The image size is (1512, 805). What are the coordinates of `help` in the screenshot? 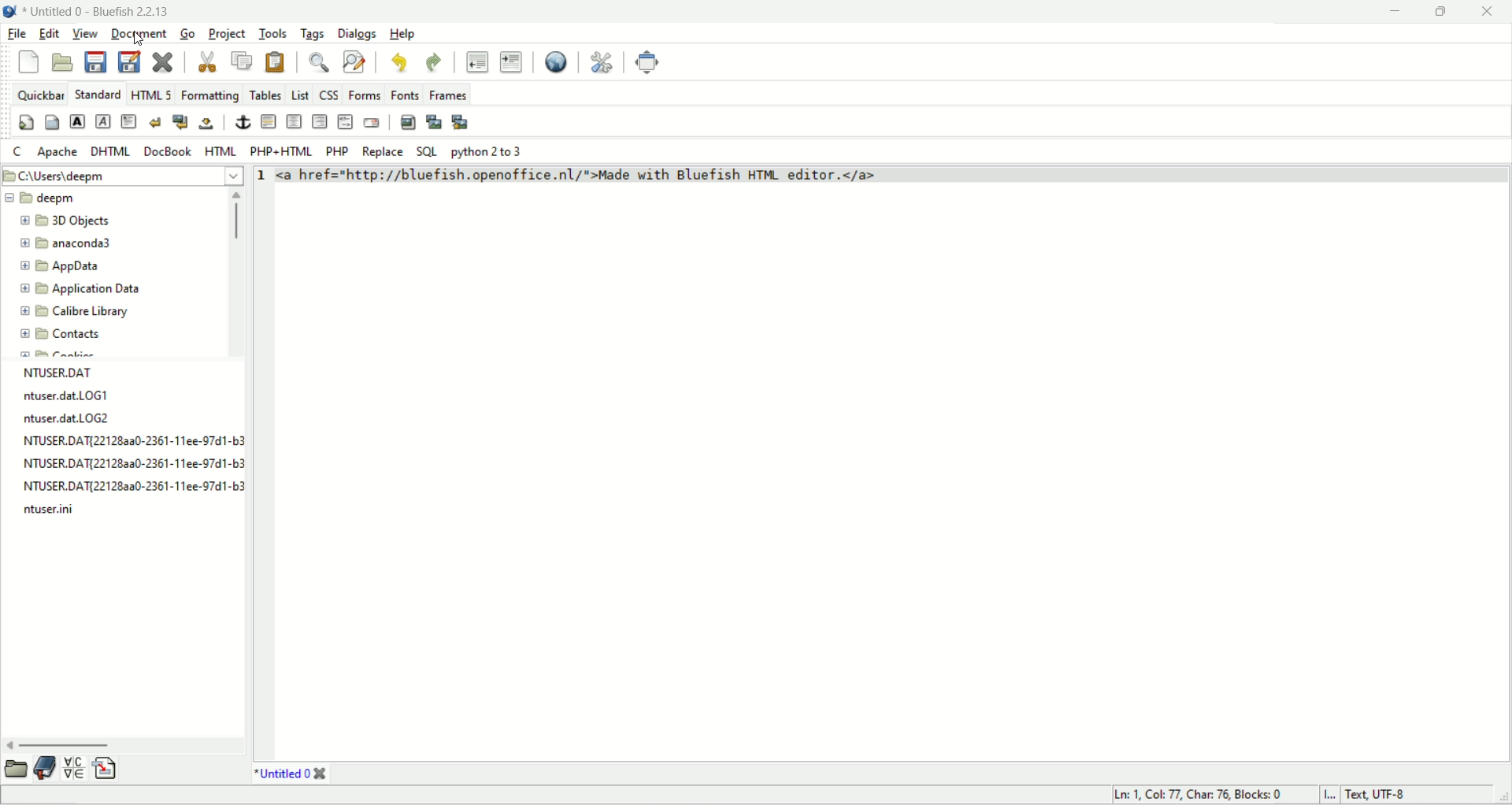 It's located at (404, 34).